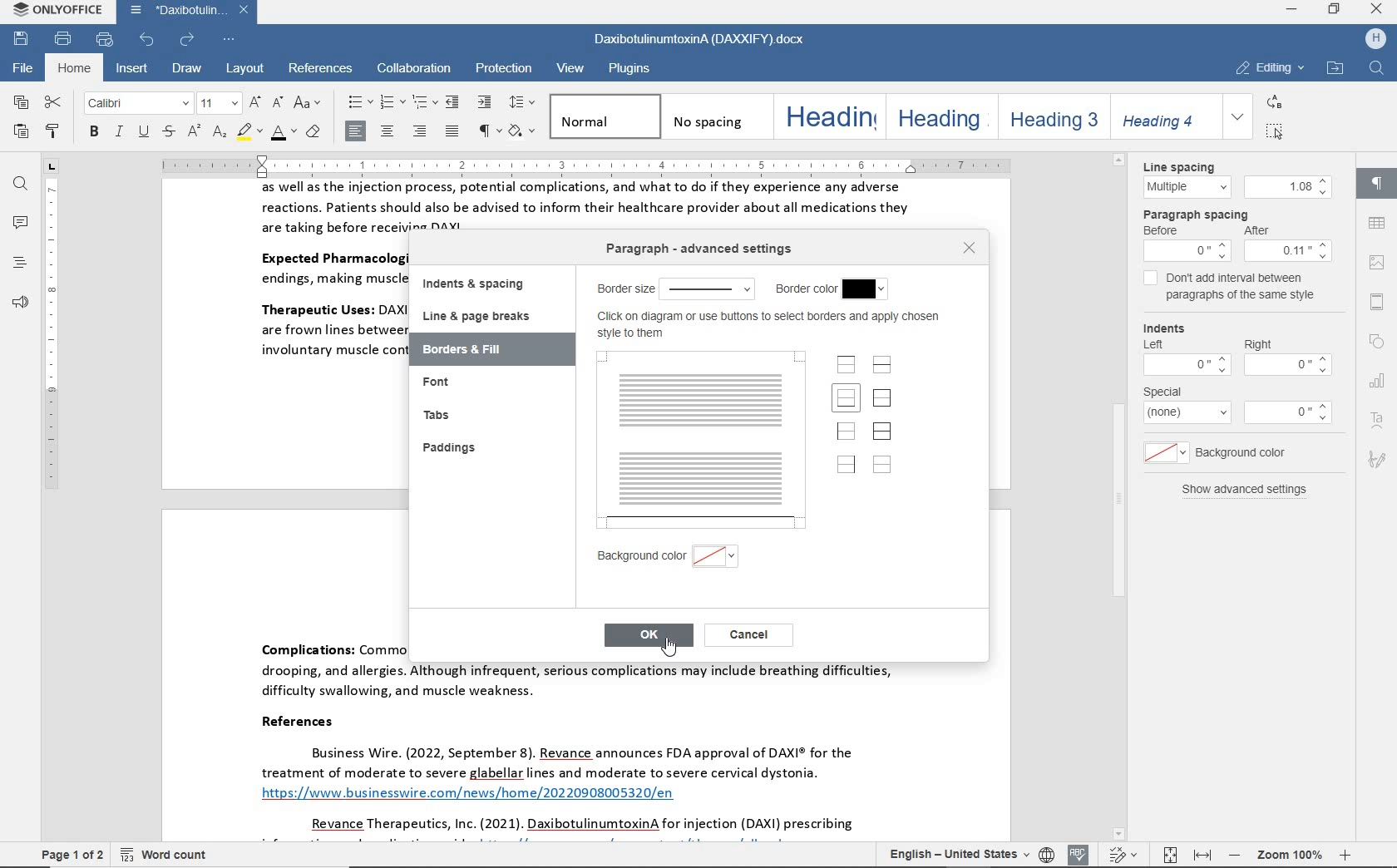 The width and height of the screenshot is (1397, 868). Describe the element at coordinates (440, 383) in the screenshot. I see `font` at that location.